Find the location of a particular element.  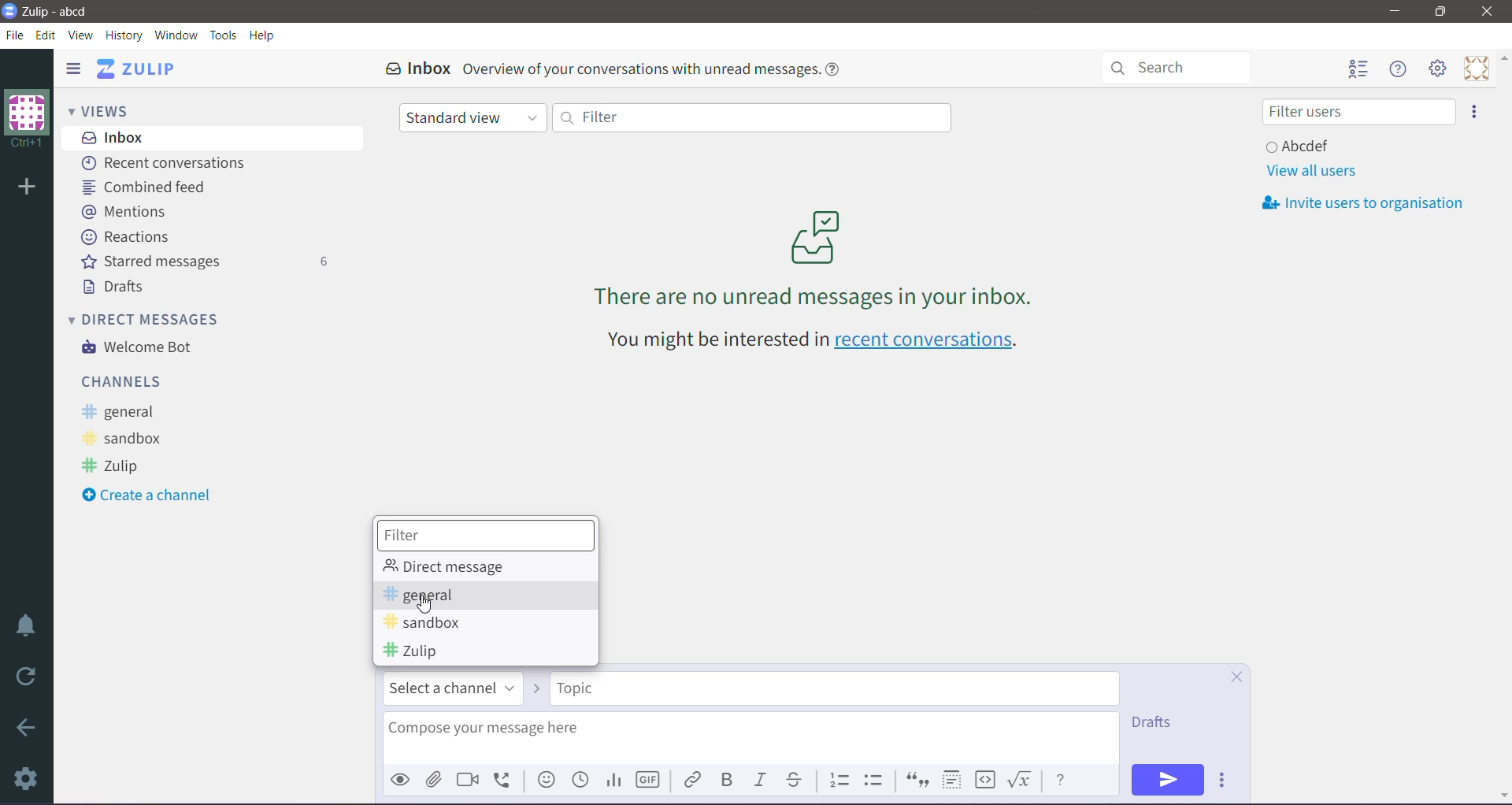

Settings is located at coordinates (28, 778).